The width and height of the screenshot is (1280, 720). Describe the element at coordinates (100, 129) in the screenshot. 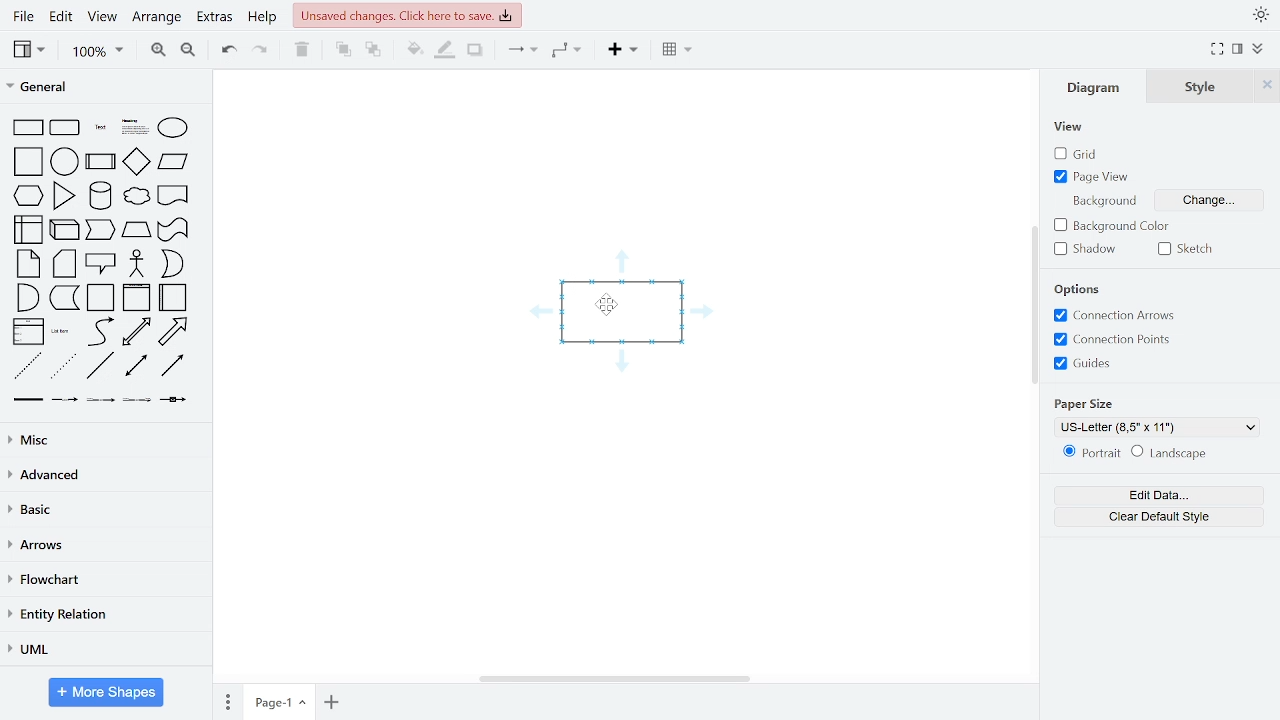

I see `text` at that location.